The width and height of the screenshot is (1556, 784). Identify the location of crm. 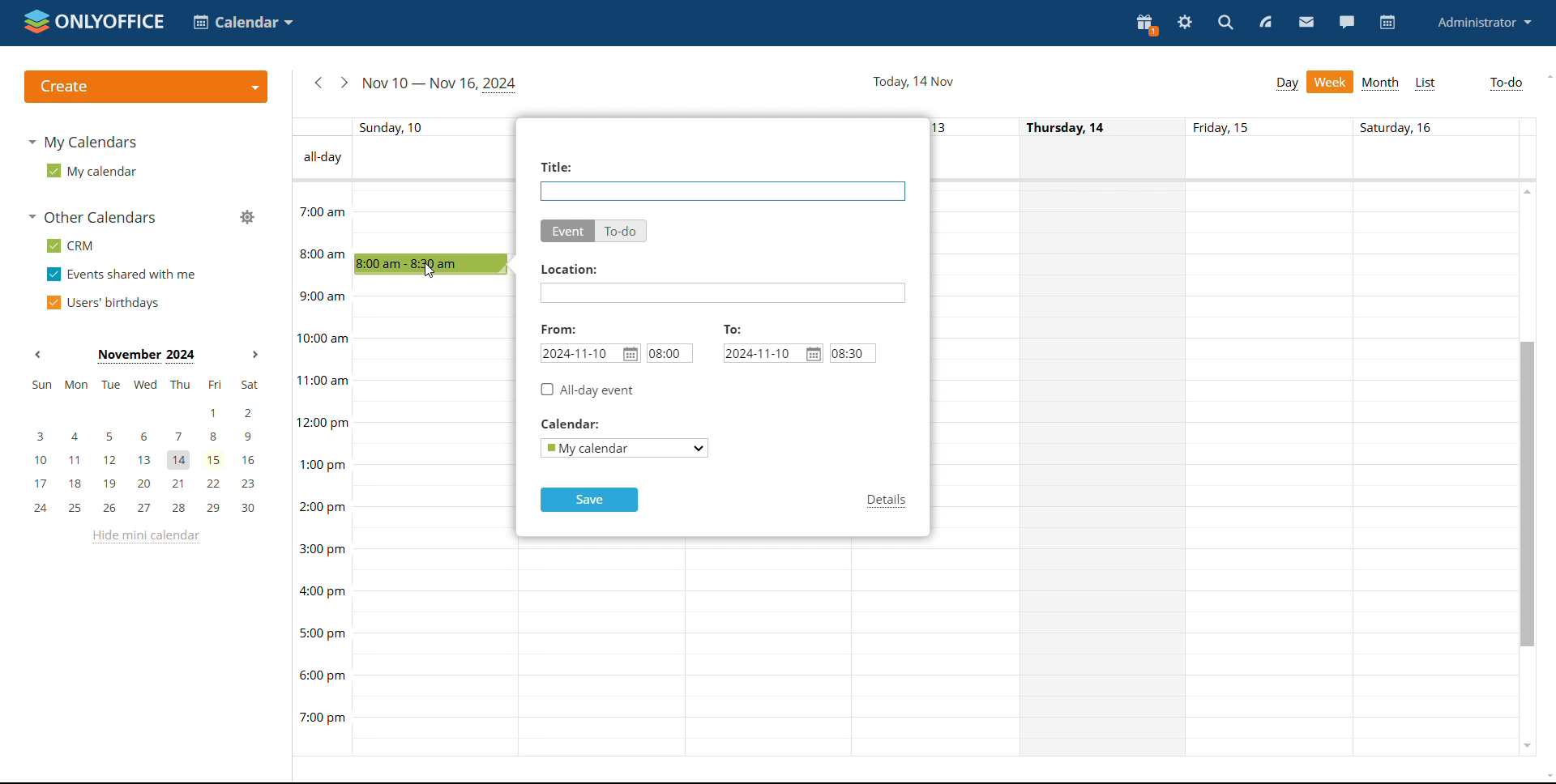
(67, 245).